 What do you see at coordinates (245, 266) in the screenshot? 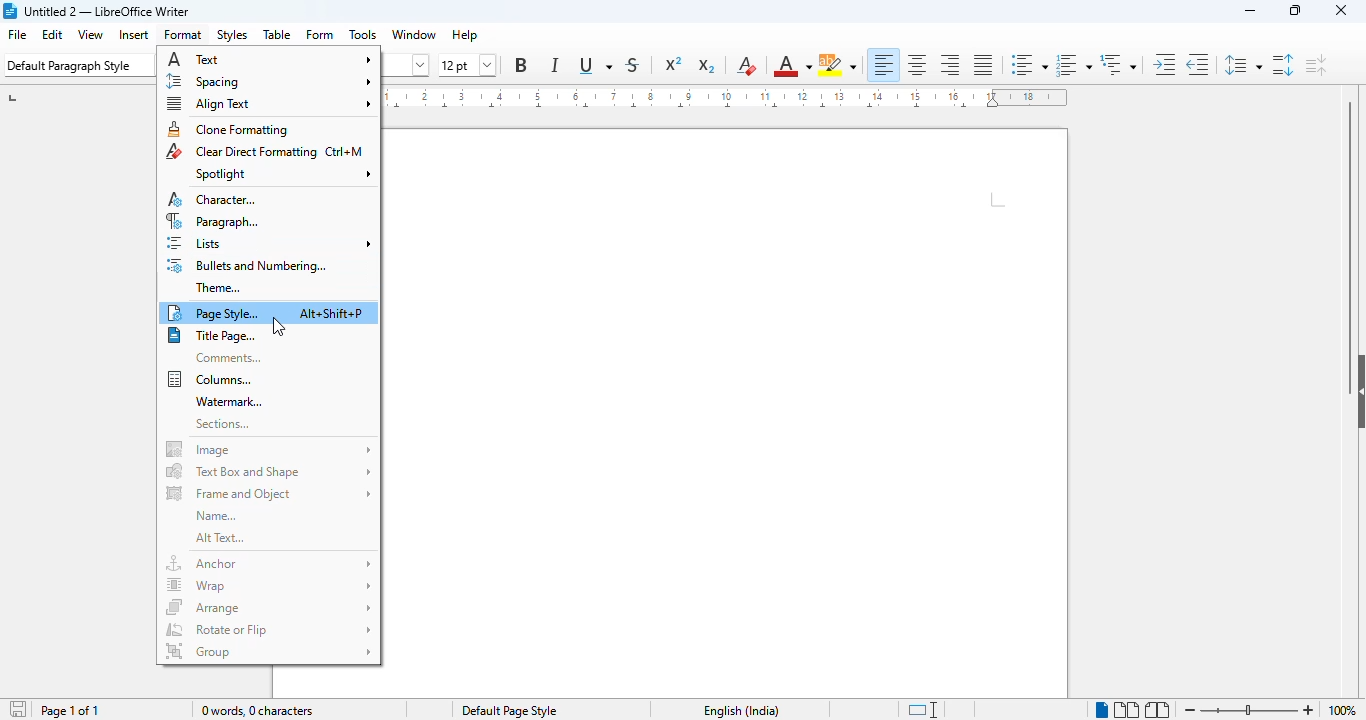
I see `bullets and numbering` at bounding box center [245, 266].